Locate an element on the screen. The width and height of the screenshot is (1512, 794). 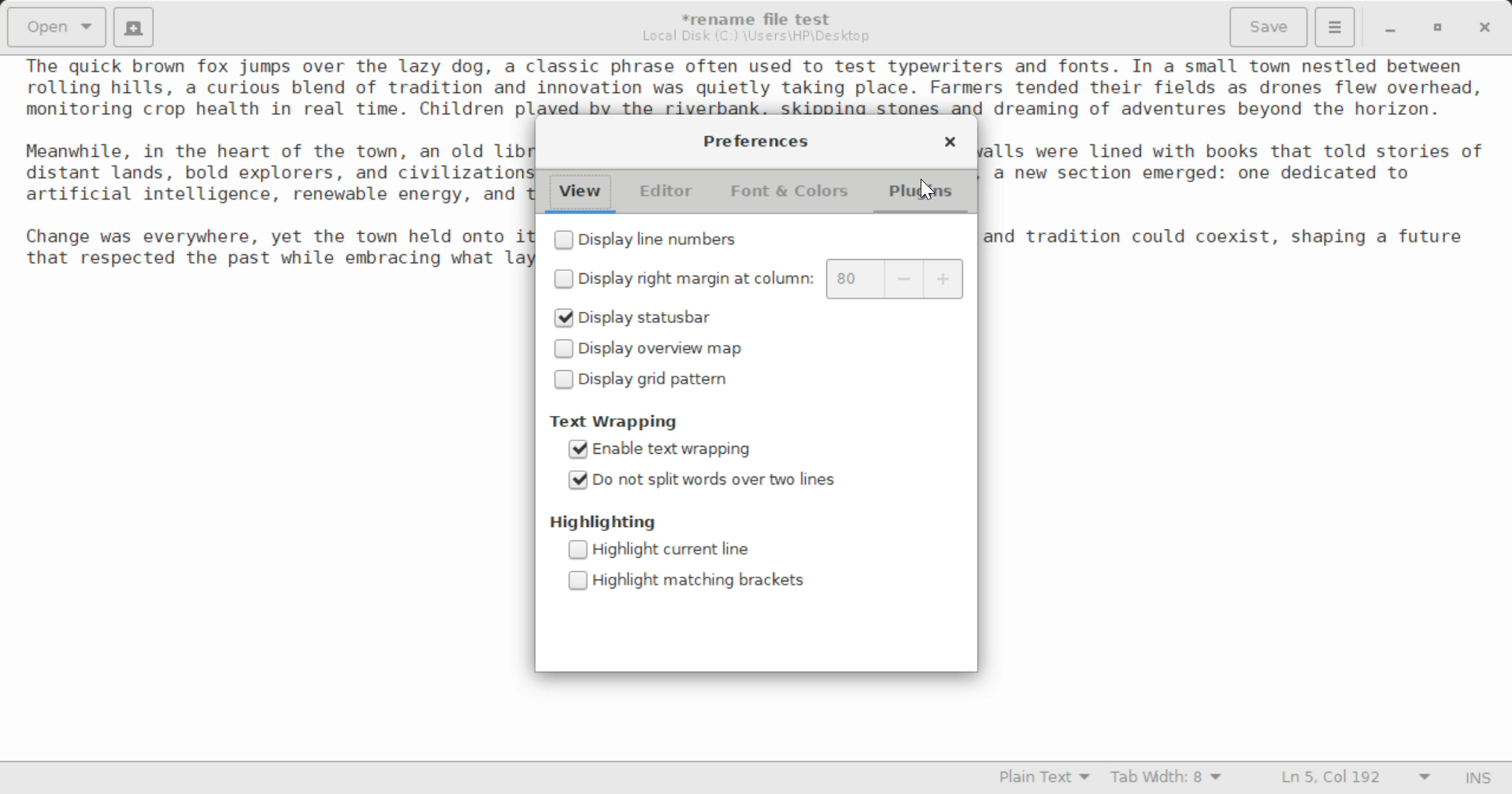
Display statusbar is located at coordinates (632, 315).